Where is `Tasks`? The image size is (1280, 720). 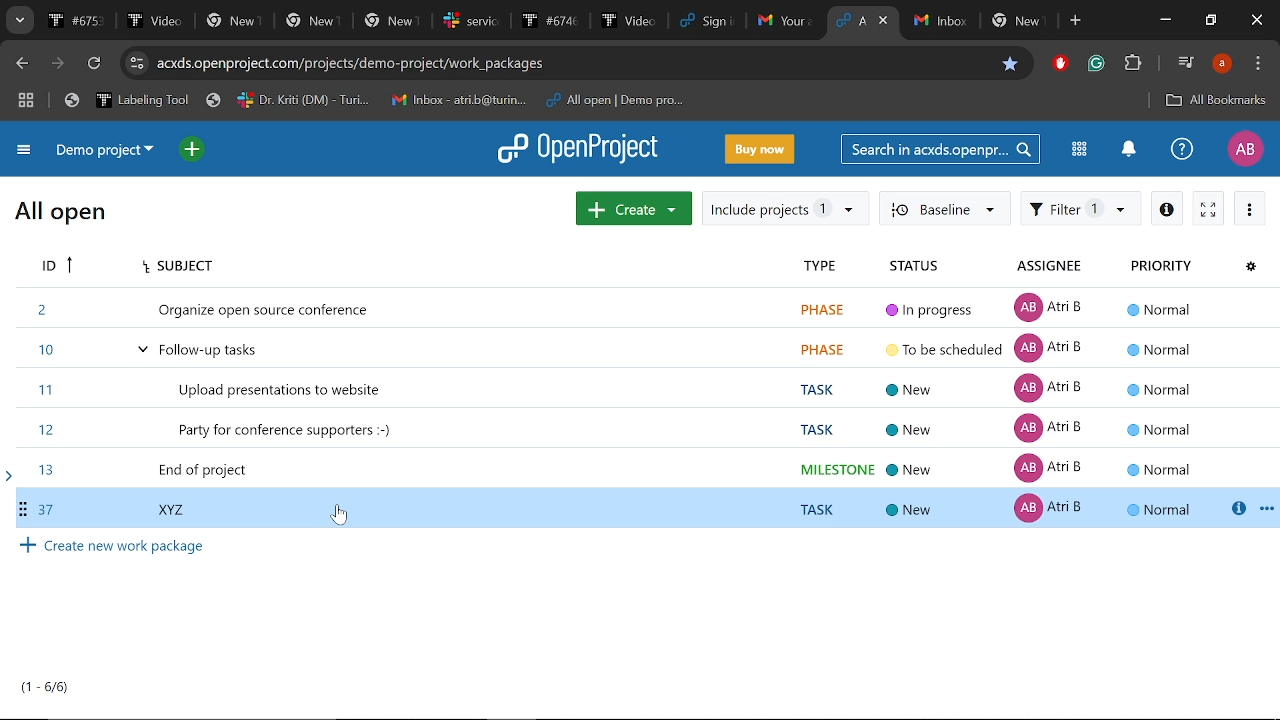 Tasks is located at coordinates (46, 687).